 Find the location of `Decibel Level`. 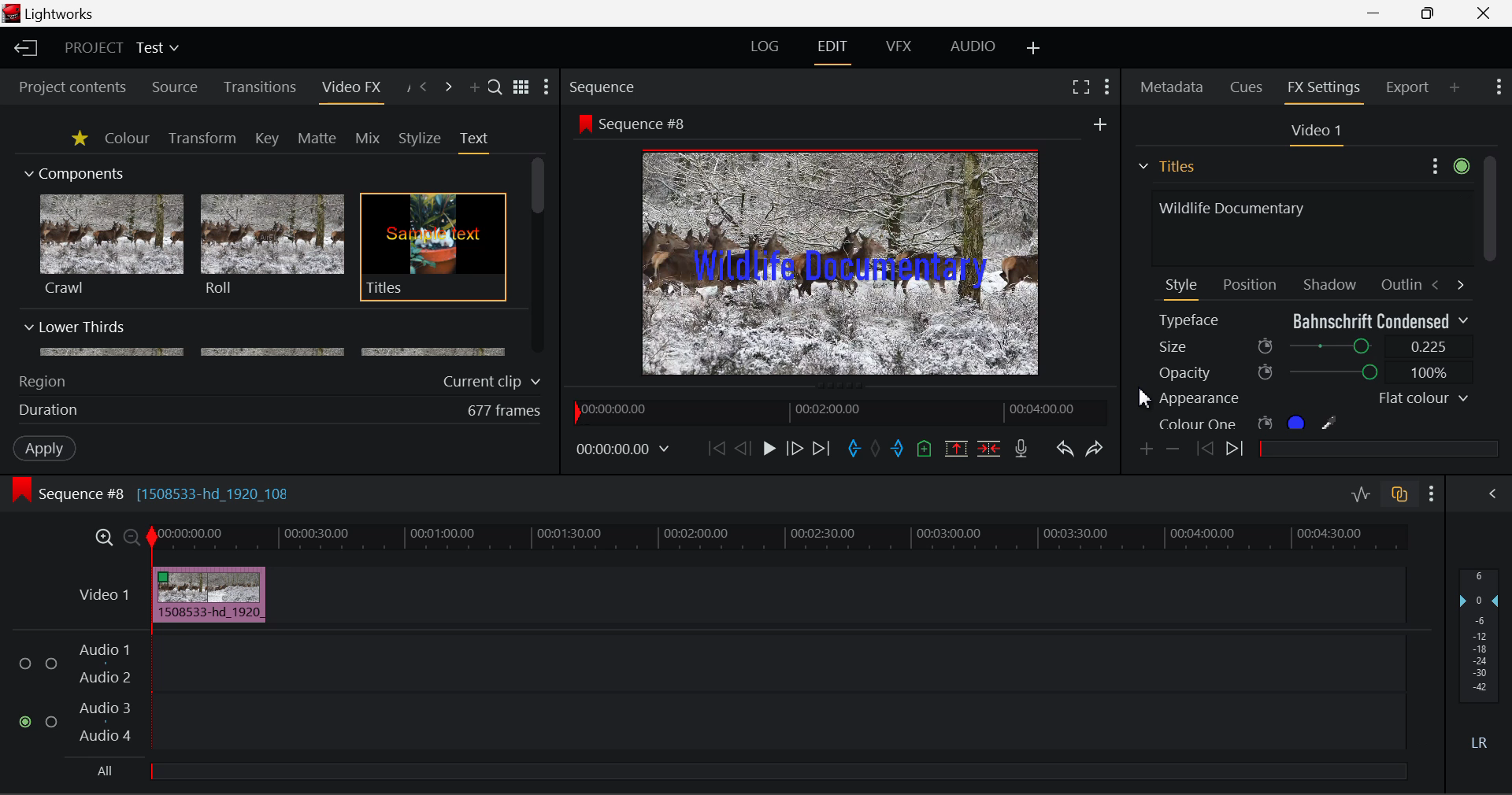

Decibel Level is located at coordinates (1480, 663).